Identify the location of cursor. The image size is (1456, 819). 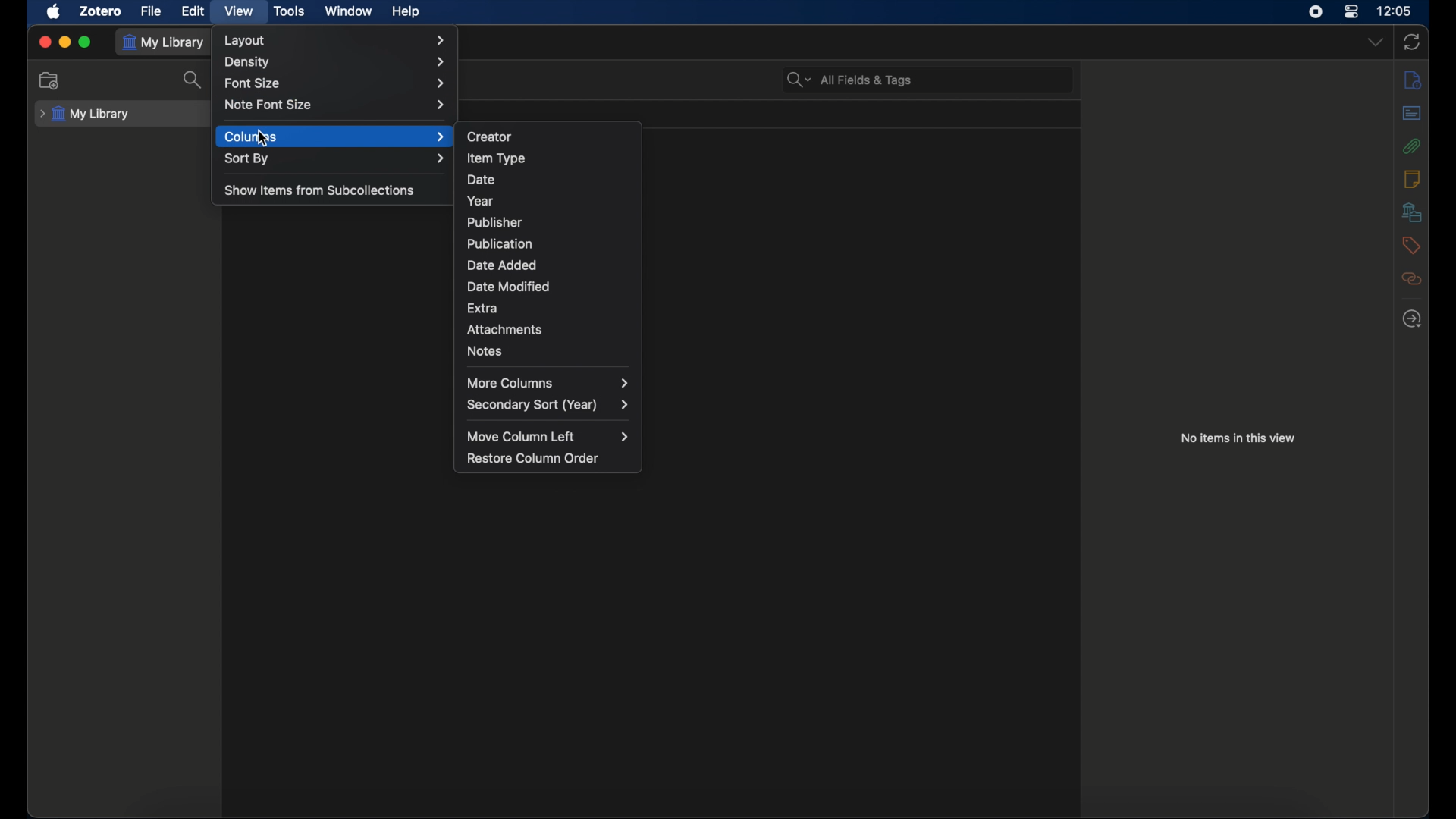
(263, 137).